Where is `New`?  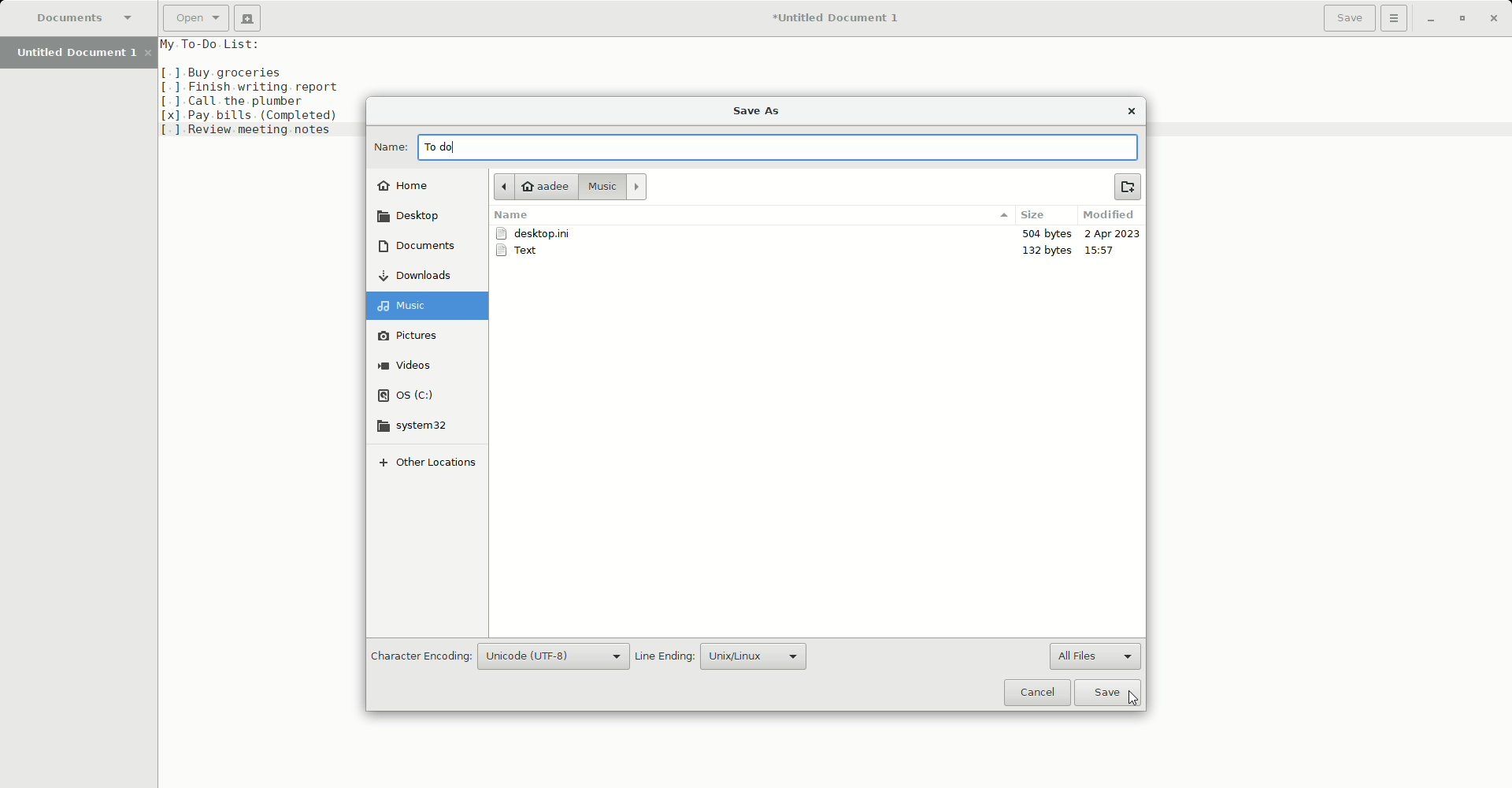 New is located at coordinates (248, 17).